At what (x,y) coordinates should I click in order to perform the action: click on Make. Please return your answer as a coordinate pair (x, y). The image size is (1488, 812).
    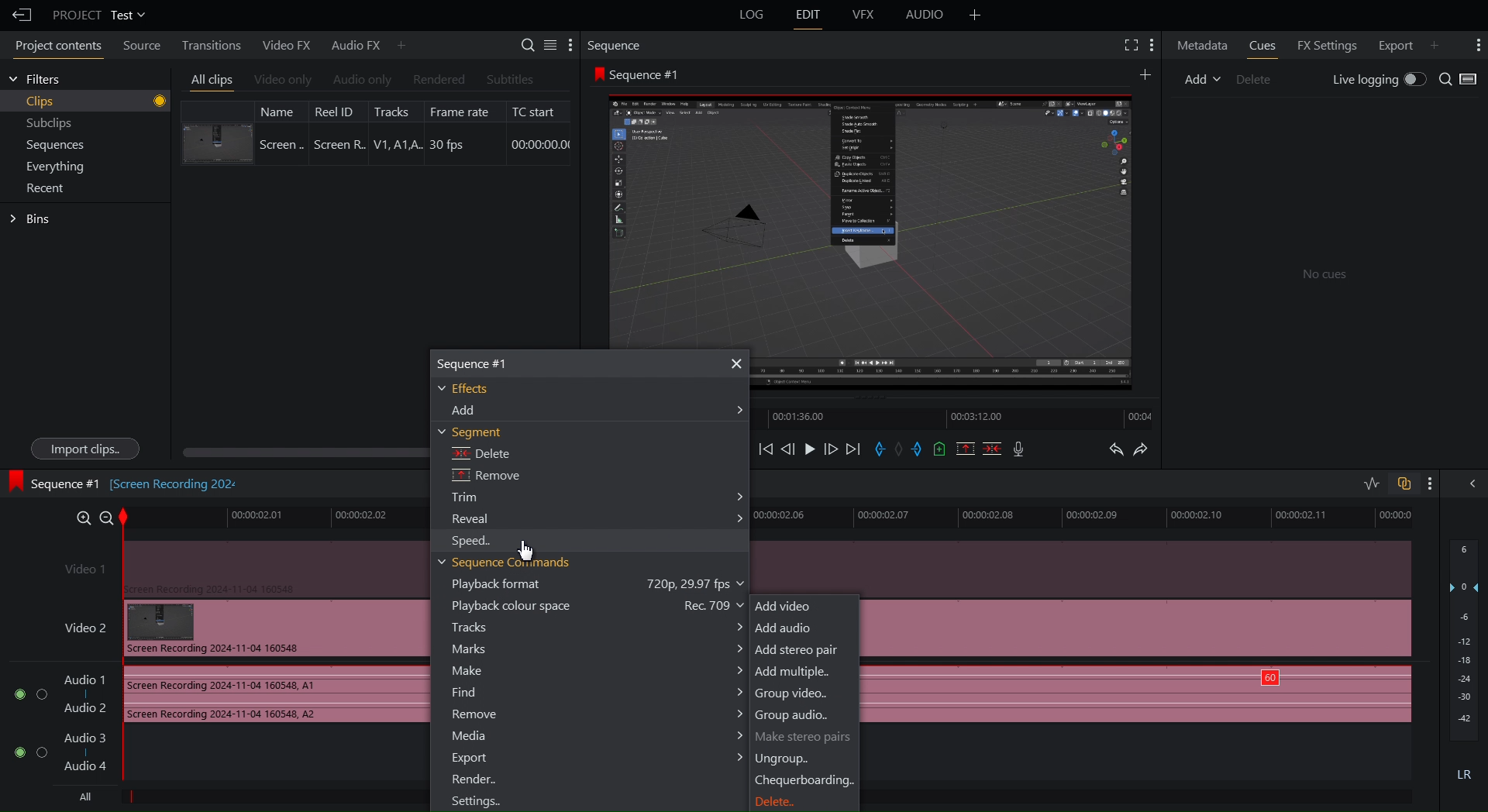
    Looking at the image, I should click on (594, 671).